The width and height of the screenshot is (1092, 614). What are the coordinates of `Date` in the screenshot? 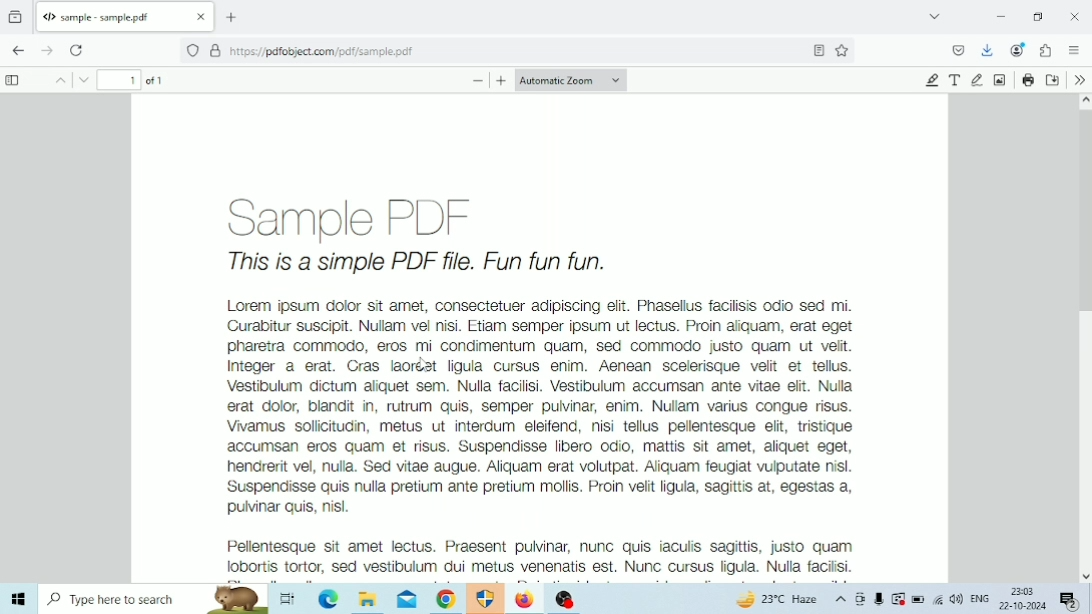 It's located at (1022, 606).